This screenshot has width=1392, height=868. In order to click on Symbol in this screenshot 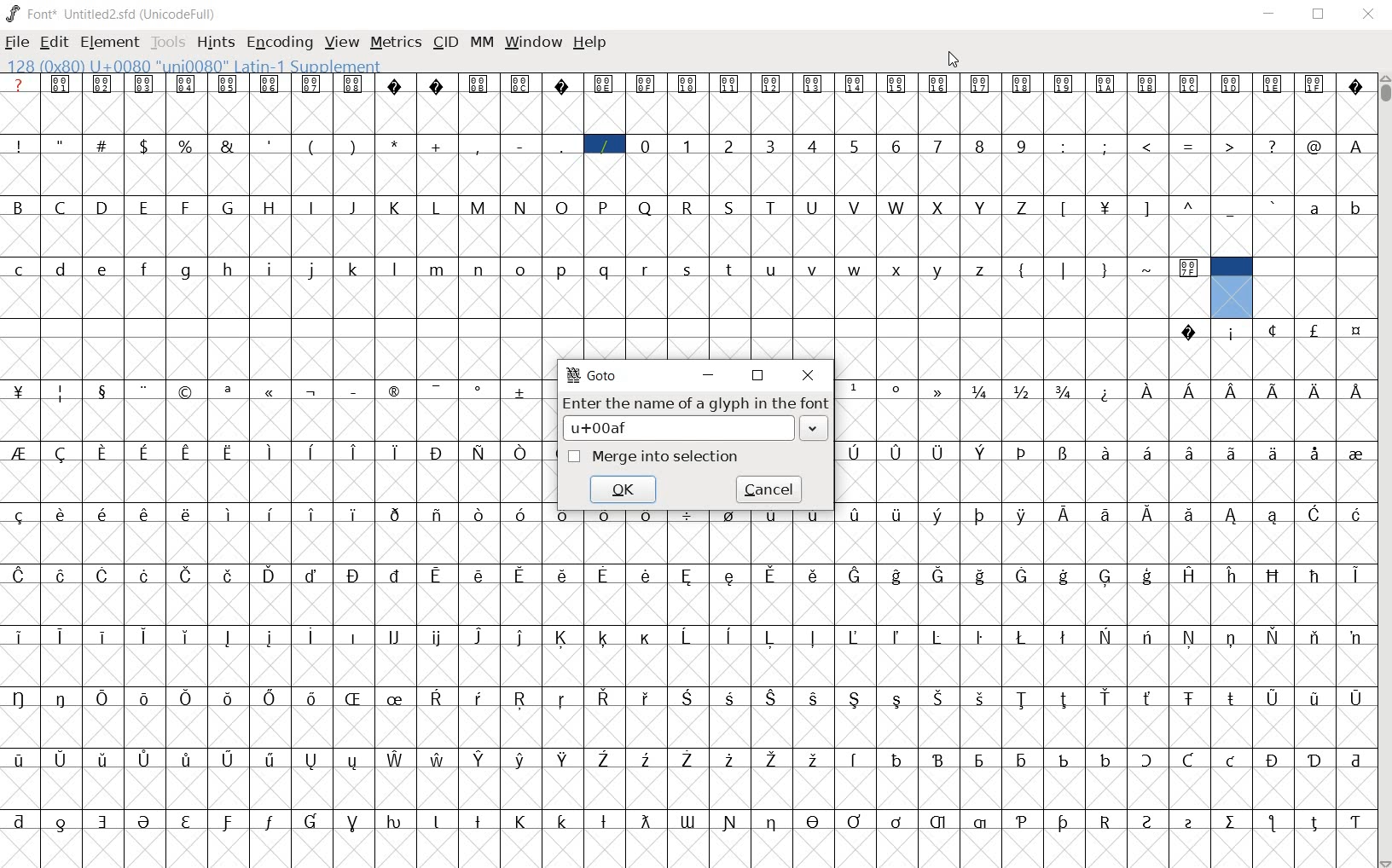, I will do `click(522, 514)`.